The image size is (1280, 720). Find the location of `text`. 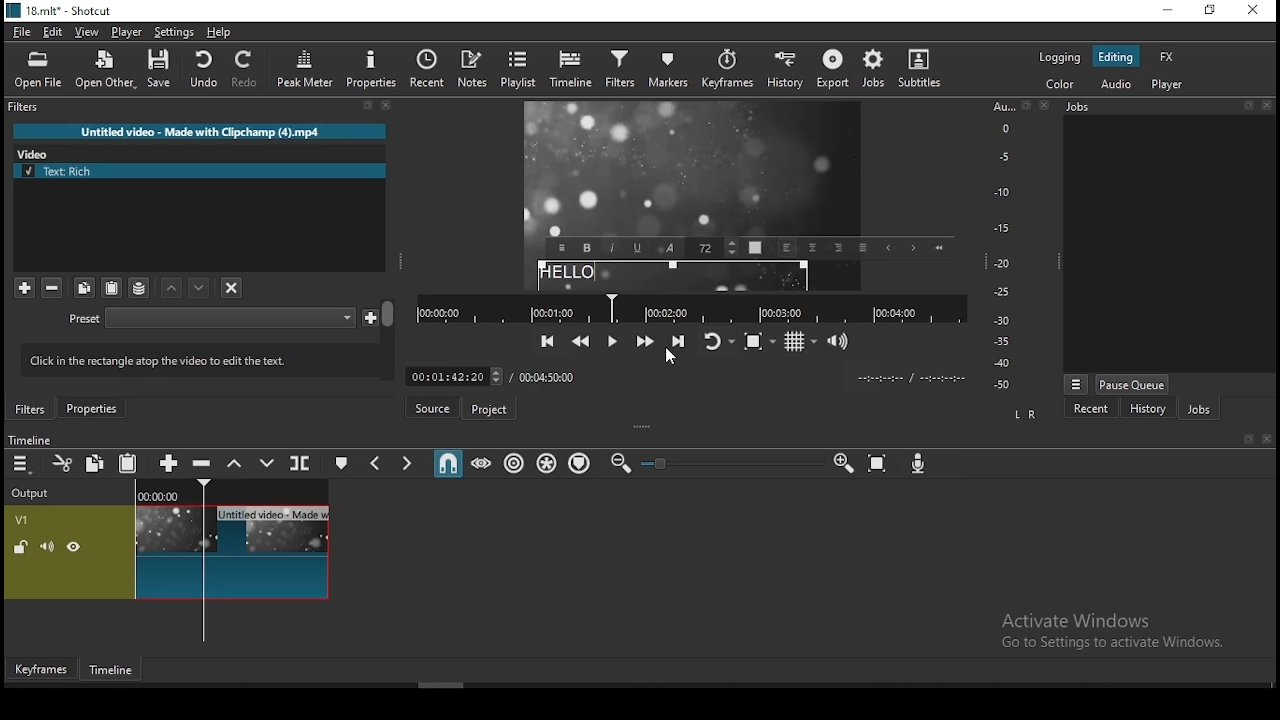

text is located at coordinates (673, 276).